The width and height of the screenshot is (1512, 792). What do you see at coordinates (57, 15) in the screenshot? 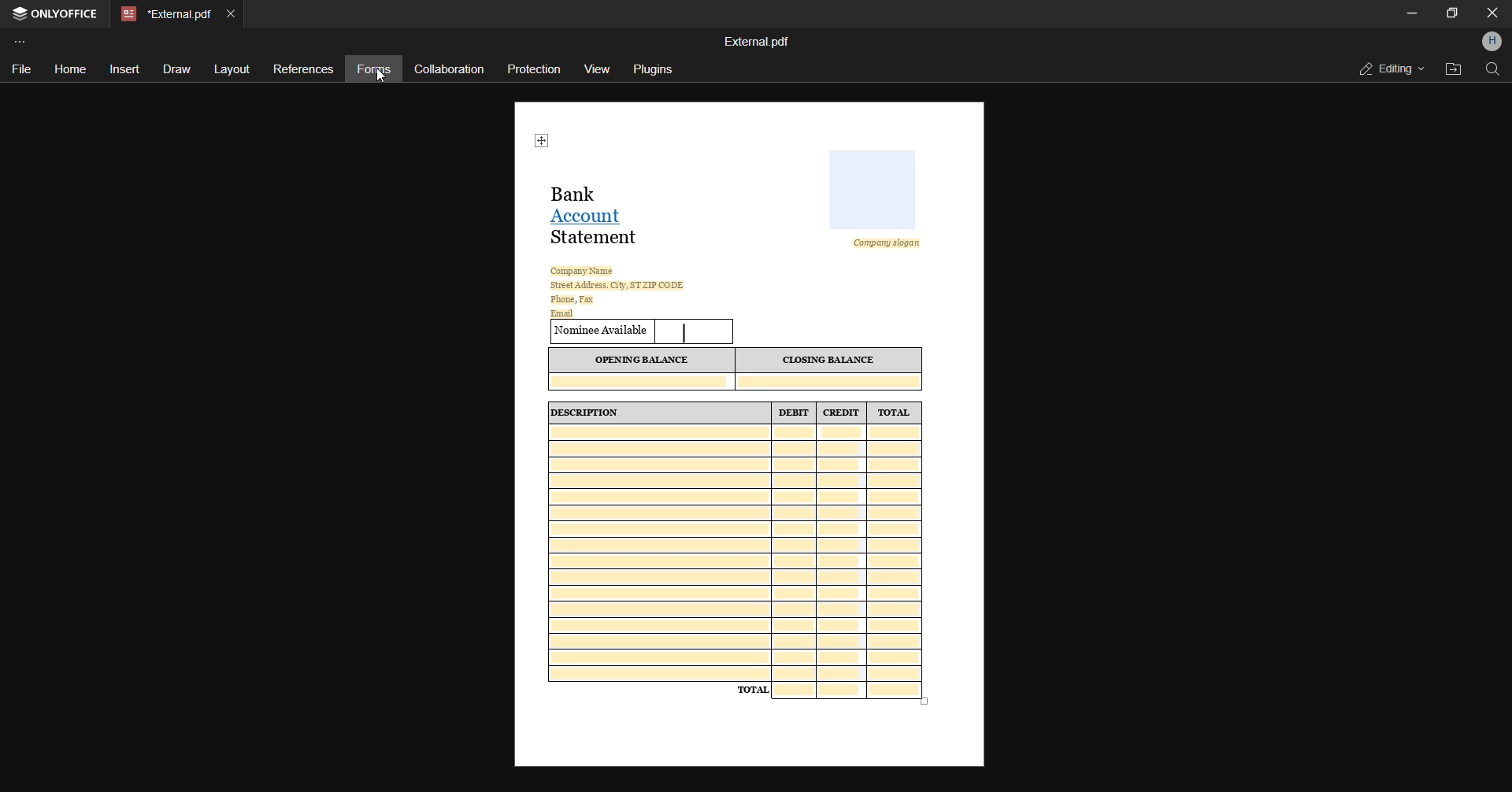
I see `onlyoffice tab` at bounding box center [57, 15].